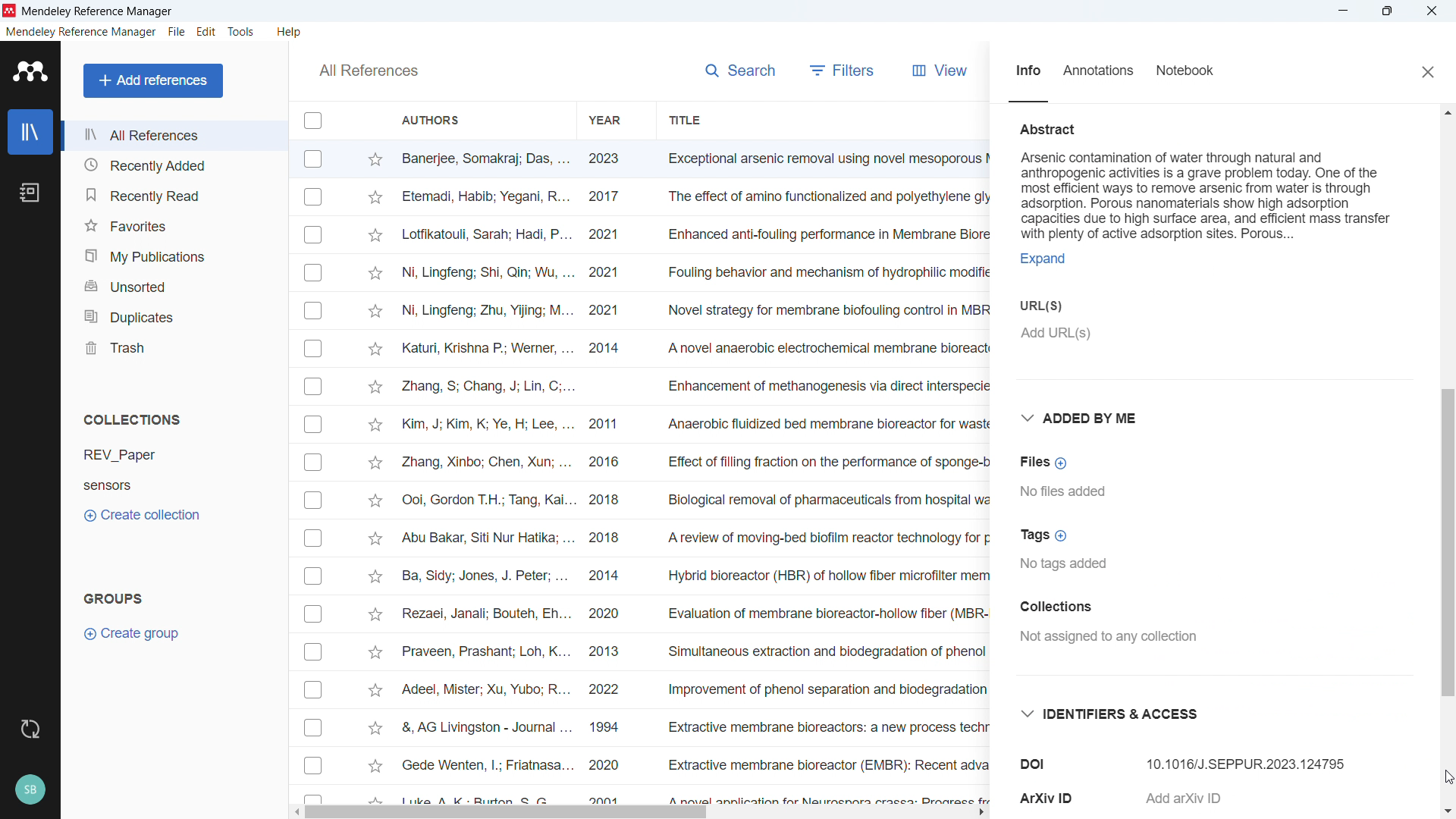 This screenshot has width=1456, height=819. I want to click on click to select individual entry, so click(315, 197).